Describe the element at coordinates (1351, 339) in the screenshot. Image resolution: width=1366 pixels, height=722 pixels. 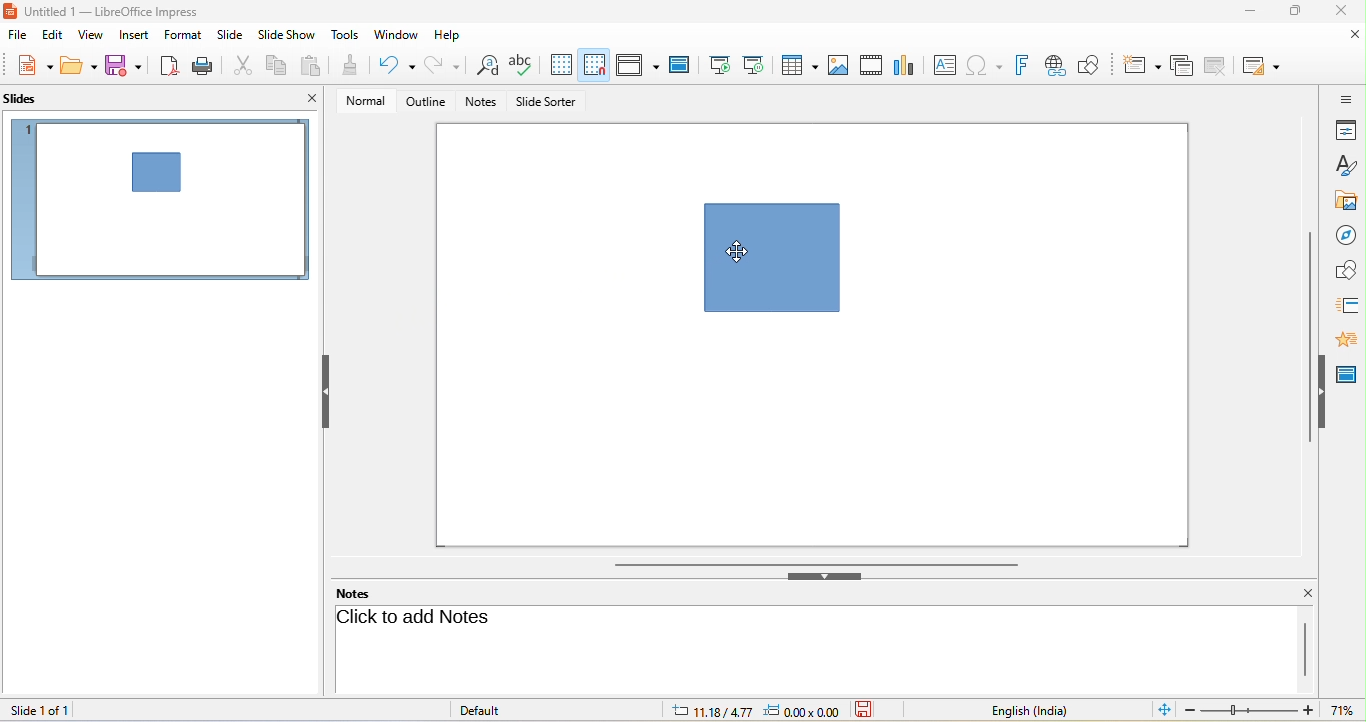
I see `animation` at that location.